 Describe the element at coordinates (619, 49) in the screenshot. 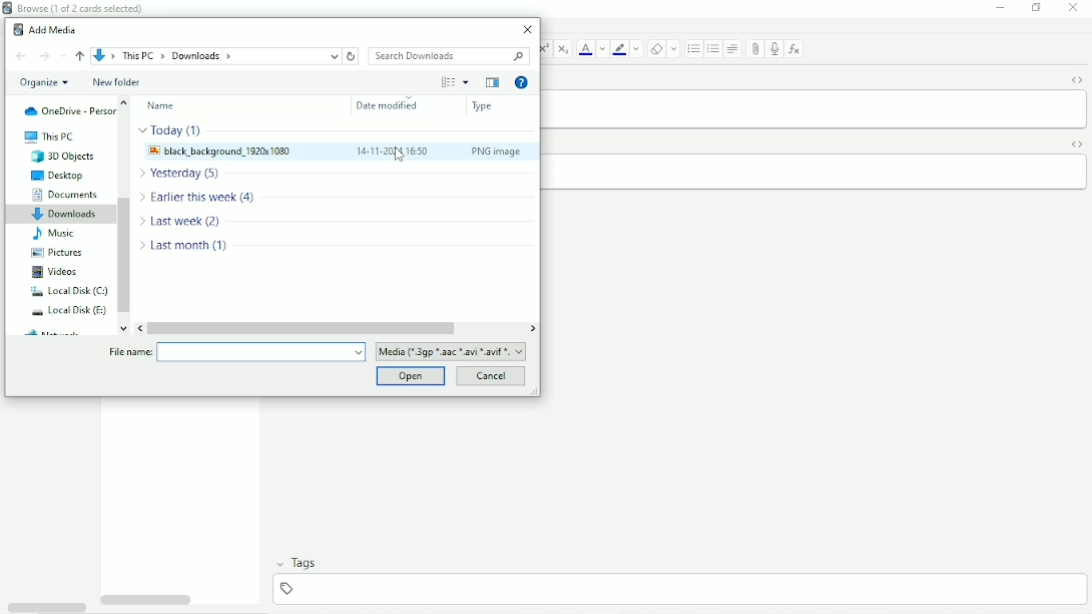

I see `Text Highlight color` at that location.